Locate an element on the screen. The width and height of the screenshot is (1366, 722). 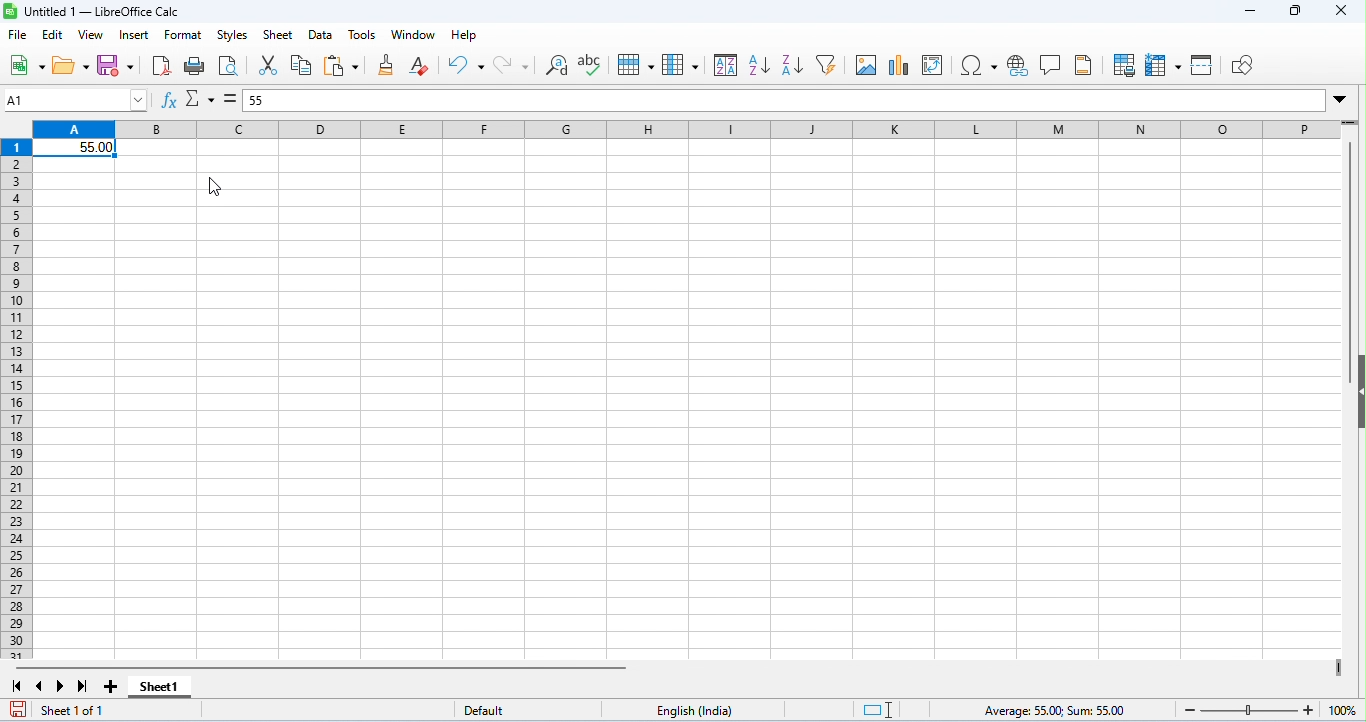
drag to view more rows is located at coordinates (1351, 124).